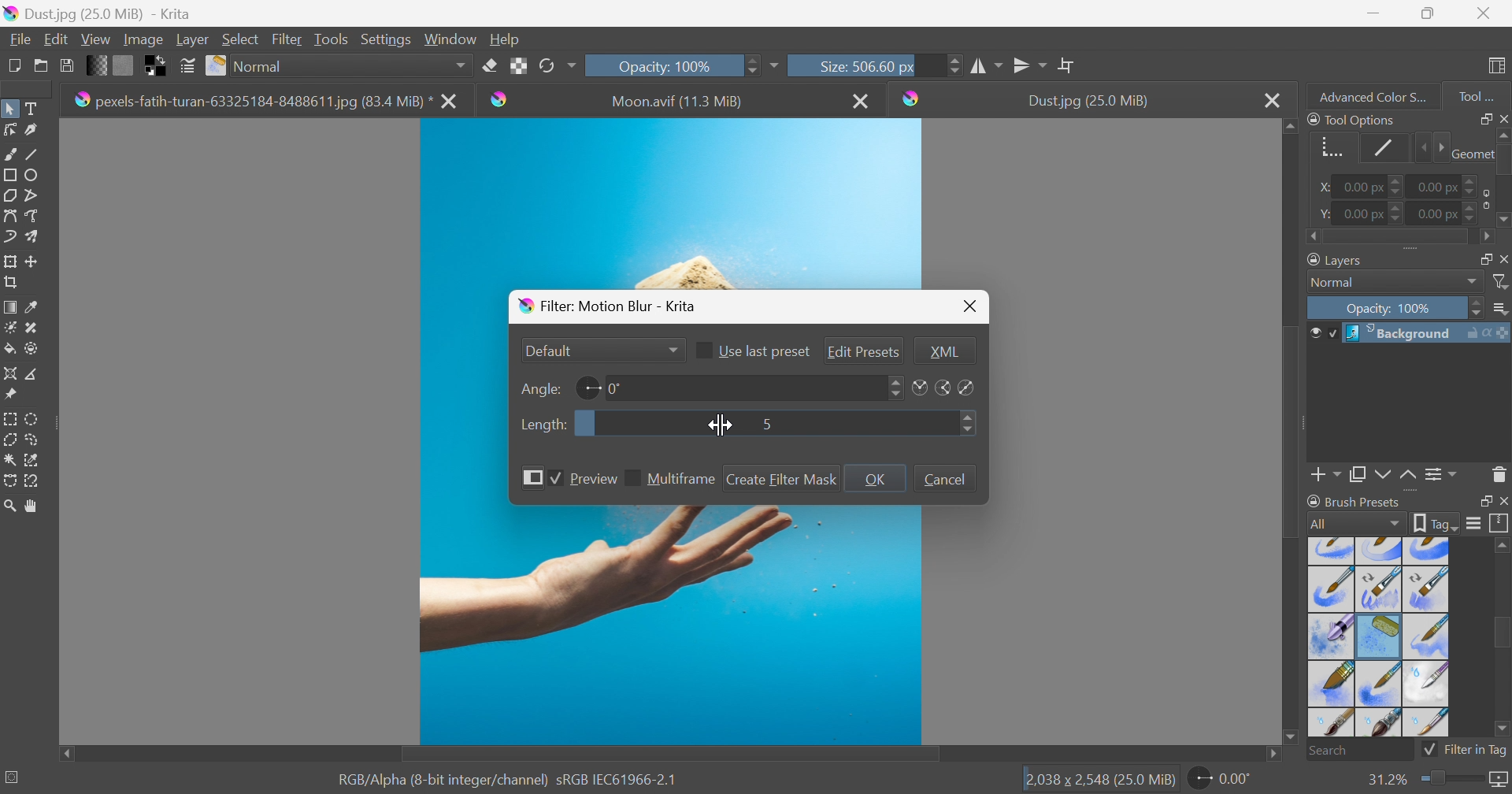 The image size is (1512, 794). I want to click on 0.00°, so click(1221, 781).